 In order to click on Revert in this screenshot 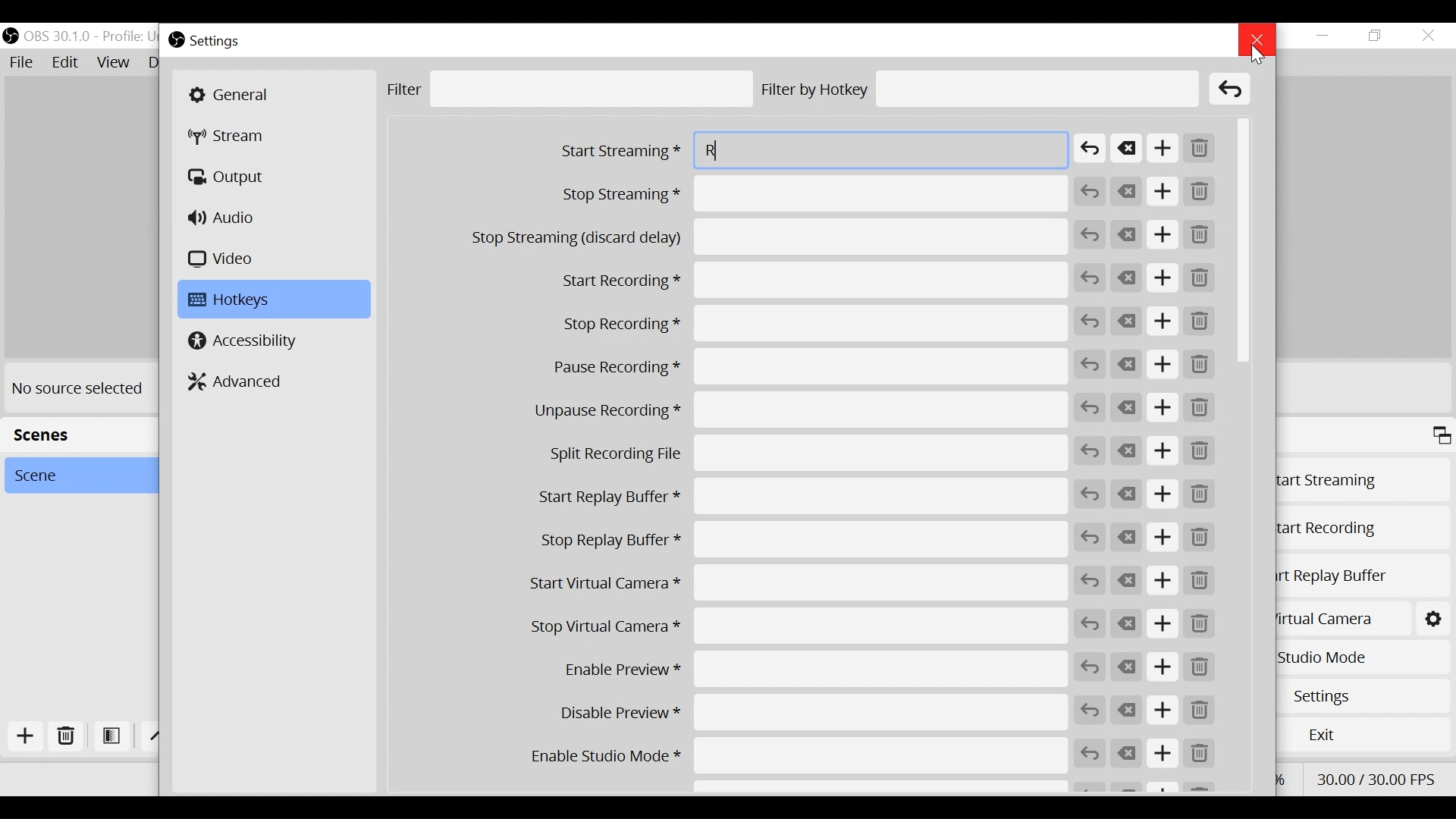, I will do `click(1090, 278)`.